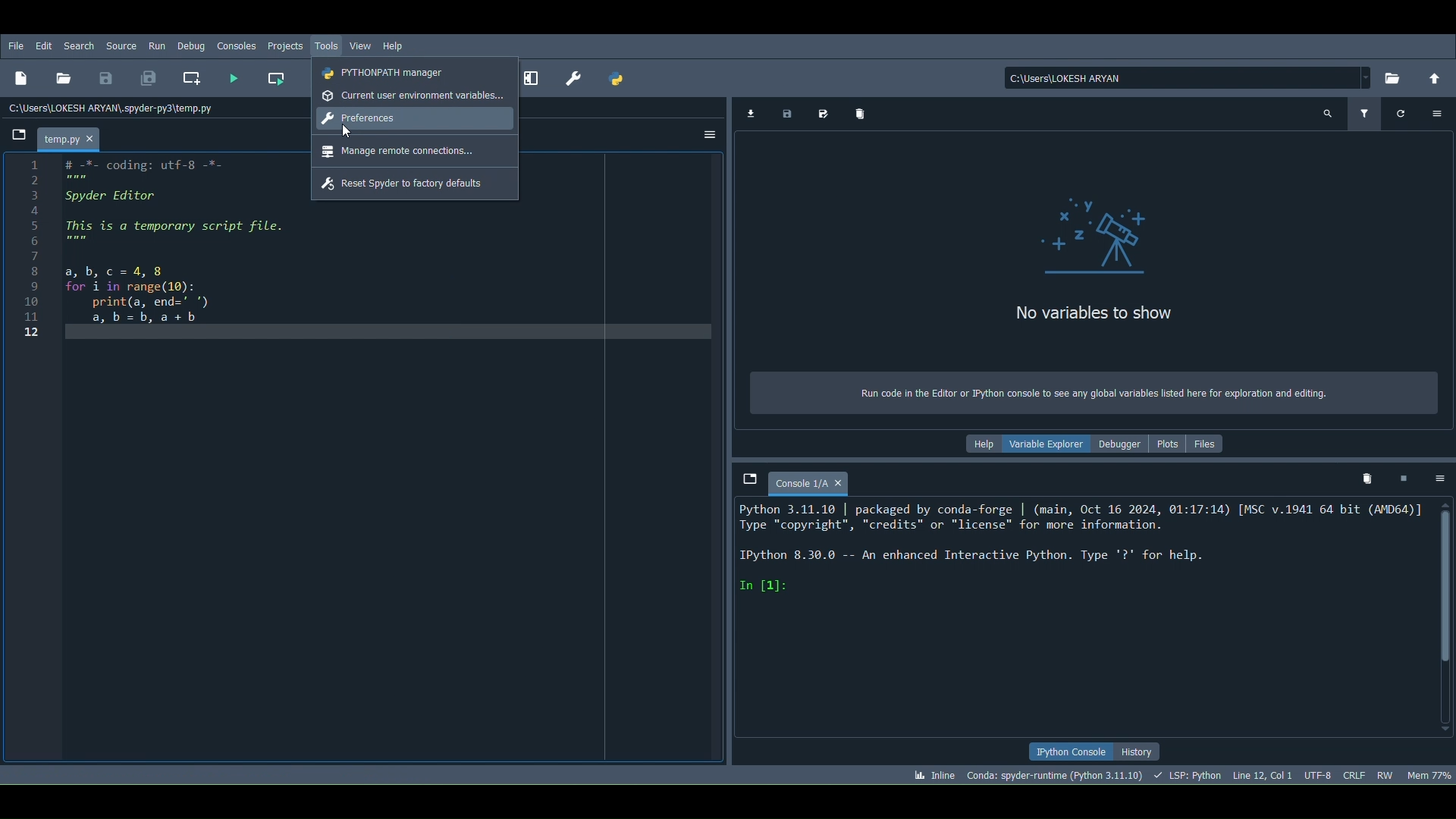 Image resolution: width=1456 pixels, height=819 pixels. Describe the element at coordinates (1172, 444) in the screenshot. I see `Plots` at that location.